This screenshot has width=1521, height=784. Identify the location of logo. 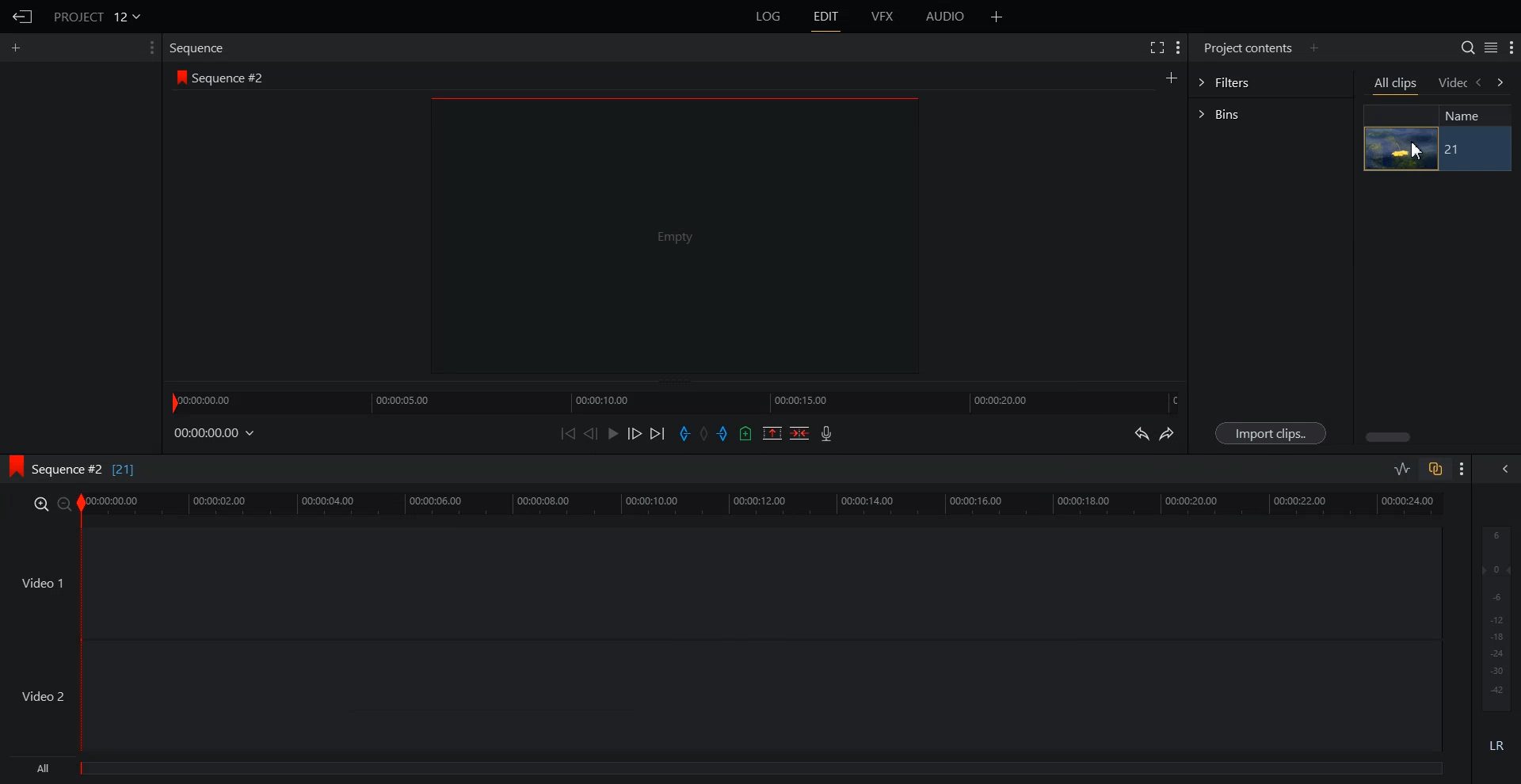
(178, 78).